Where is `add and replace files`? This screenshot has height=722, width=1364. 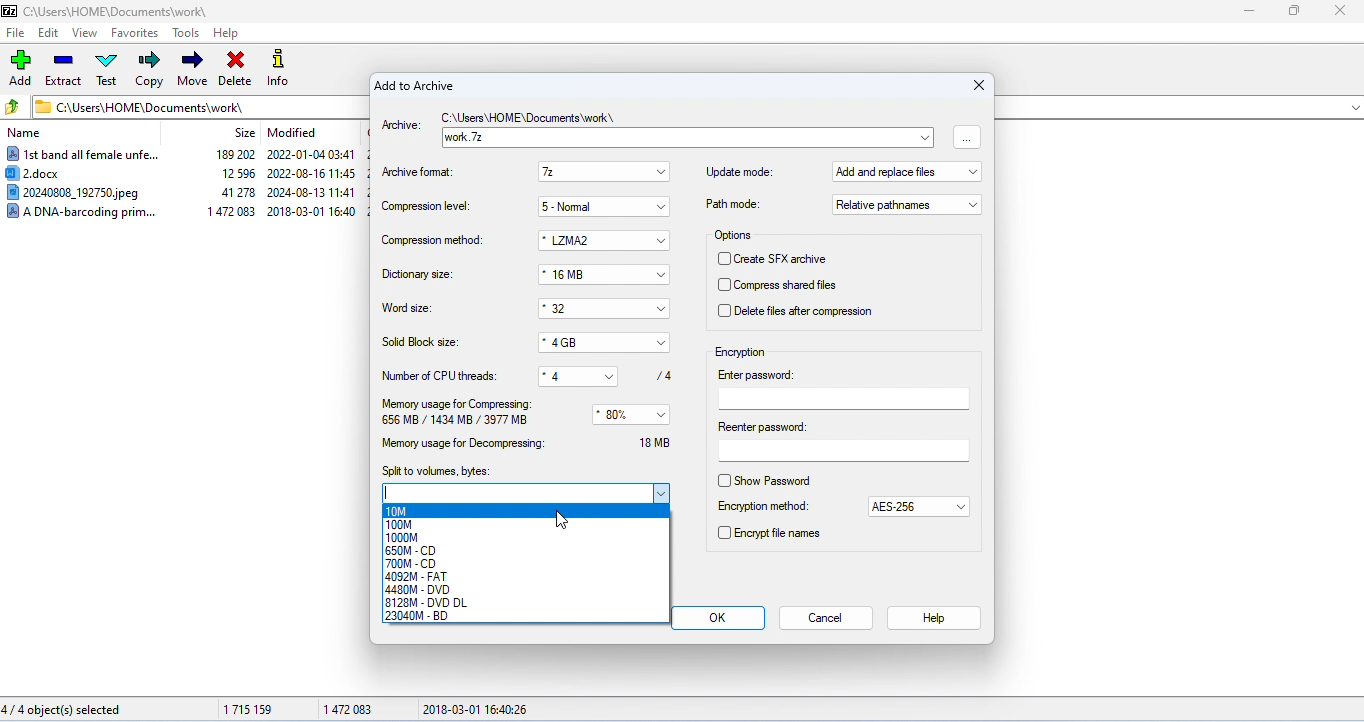 add and replace files is located at coordinates (908, 174).